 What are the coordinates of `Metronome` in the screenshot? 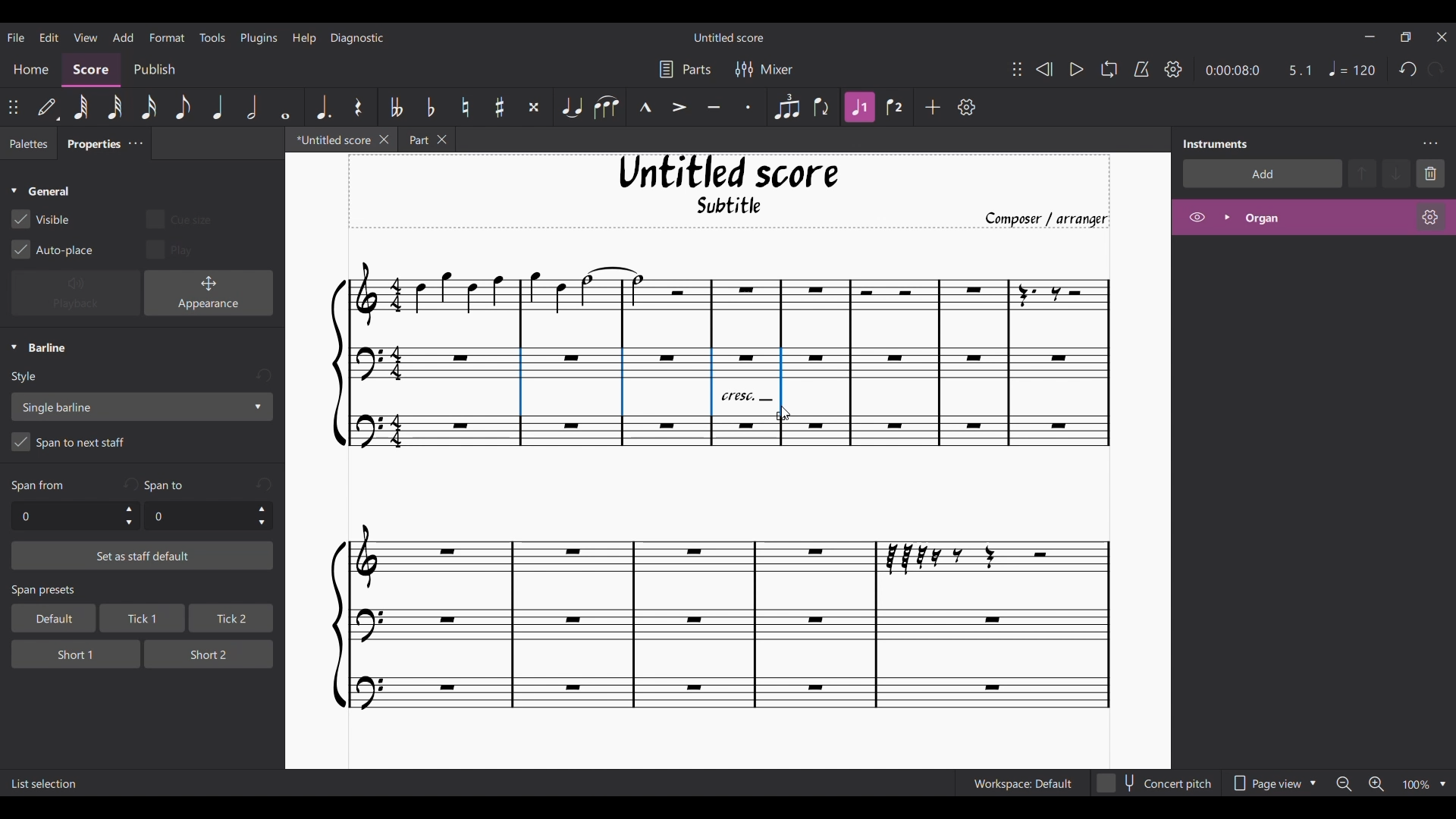 It's located at (1141, 69).